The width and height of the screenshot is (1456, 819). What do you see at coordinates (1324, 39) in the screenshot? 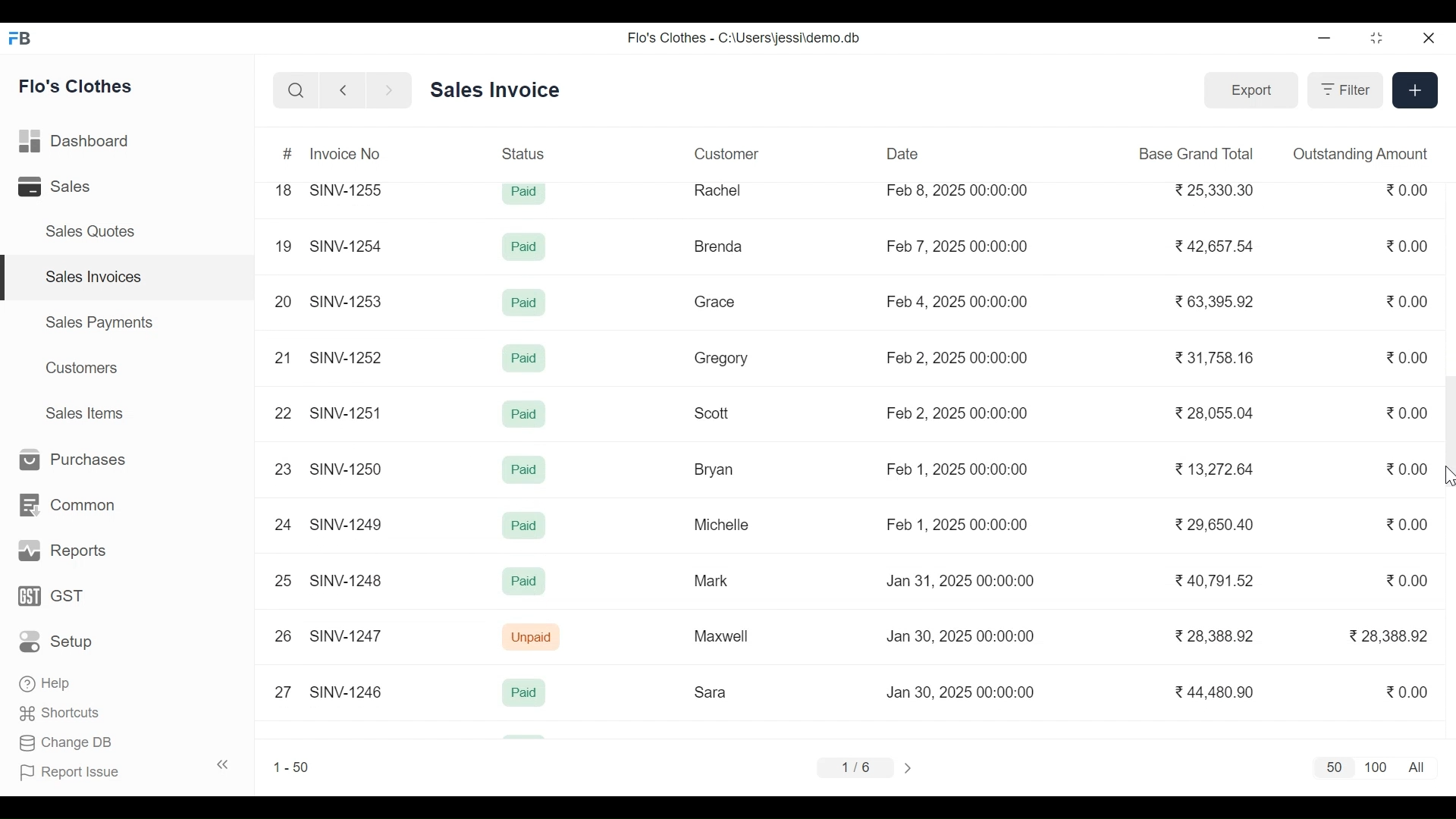
I see `Minimize` at bounding box center [1324, 39].